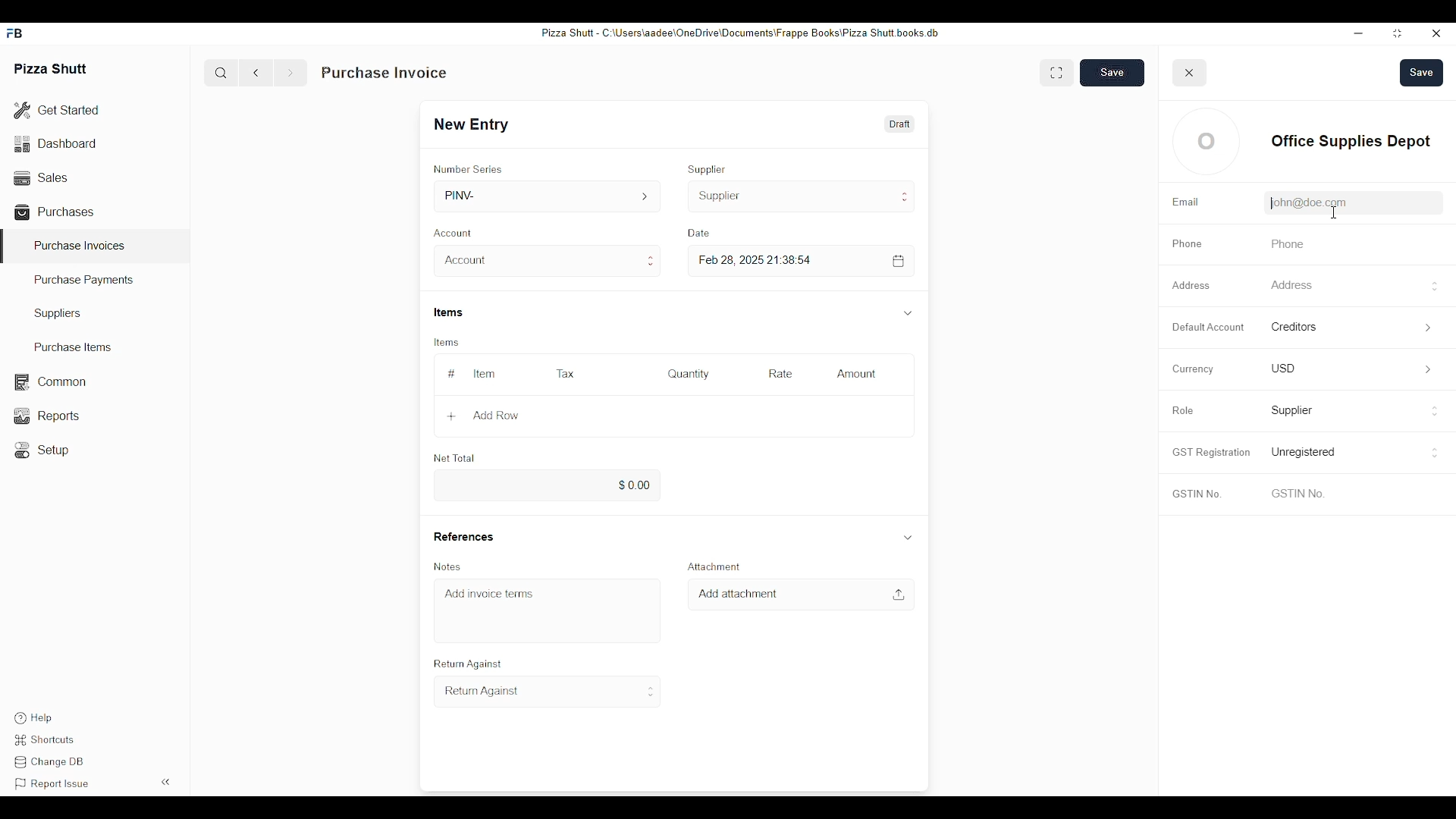 The image size is (1456, 819). I want to click on down, so click(907, 313).